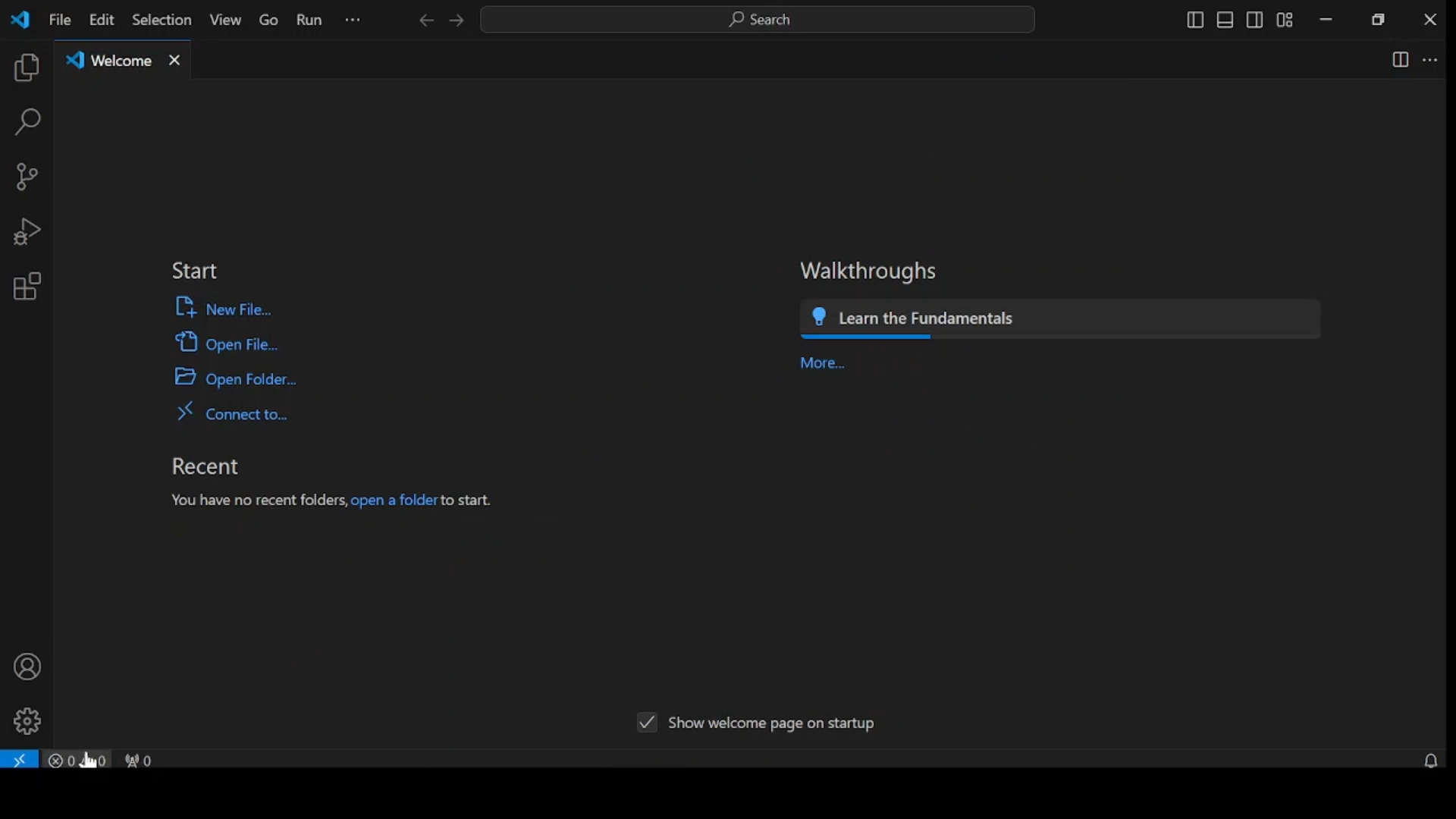 The width and height of the screenshot is (1456, 819). I want to click on show welcome page on startup, so click(795, 723).